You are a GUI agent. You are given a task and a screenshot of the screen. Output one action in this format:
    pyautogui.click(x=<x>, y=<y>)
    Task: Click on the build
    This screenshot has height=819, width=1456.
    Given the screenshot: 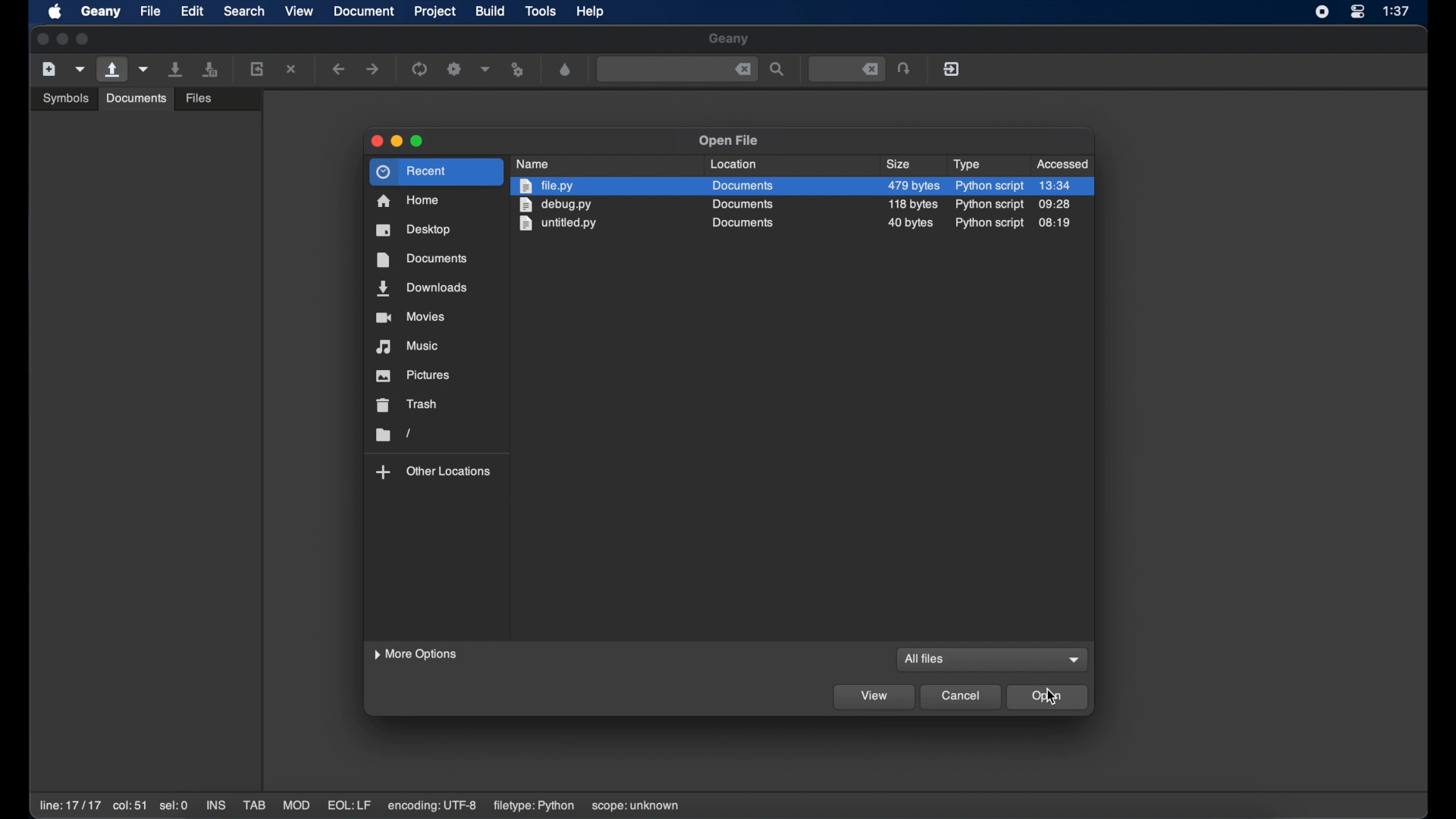 What is the action you would take?
    pyautogui.click(x=491, y=10)
    